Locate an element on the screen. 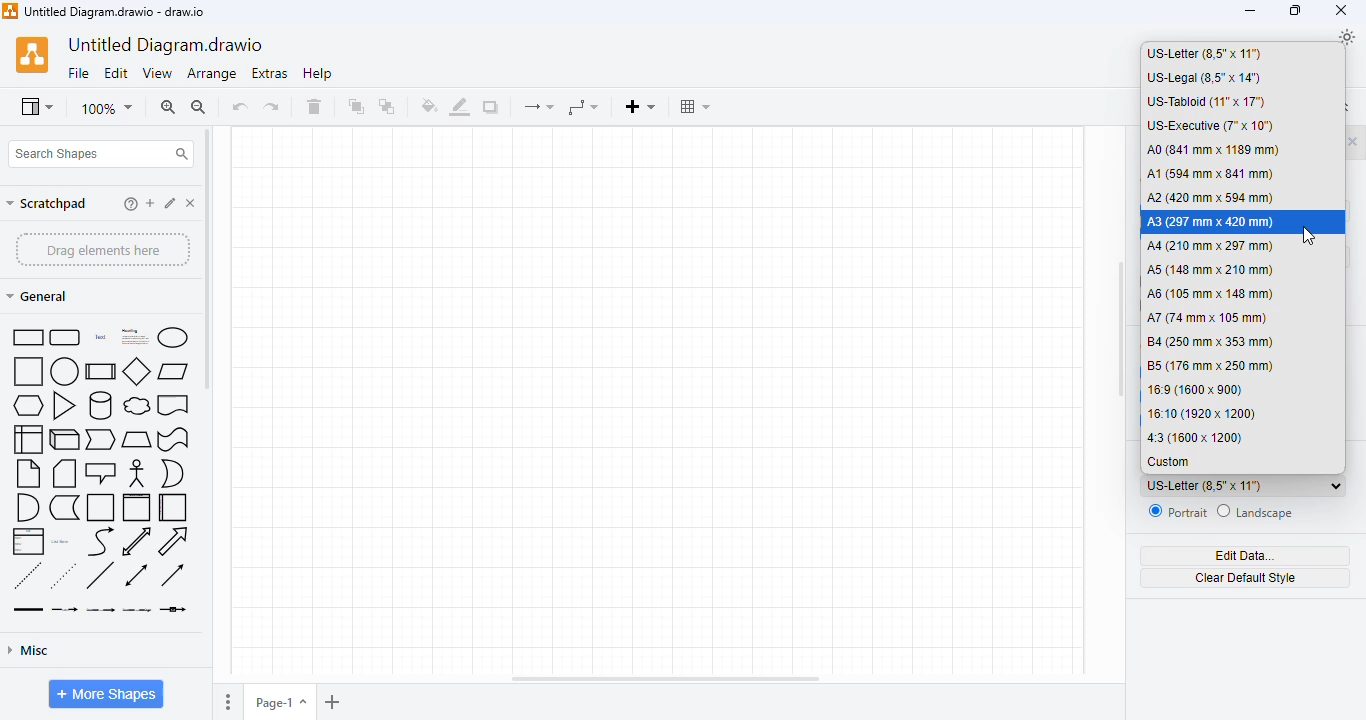  options is located at coordinates (229, 703).